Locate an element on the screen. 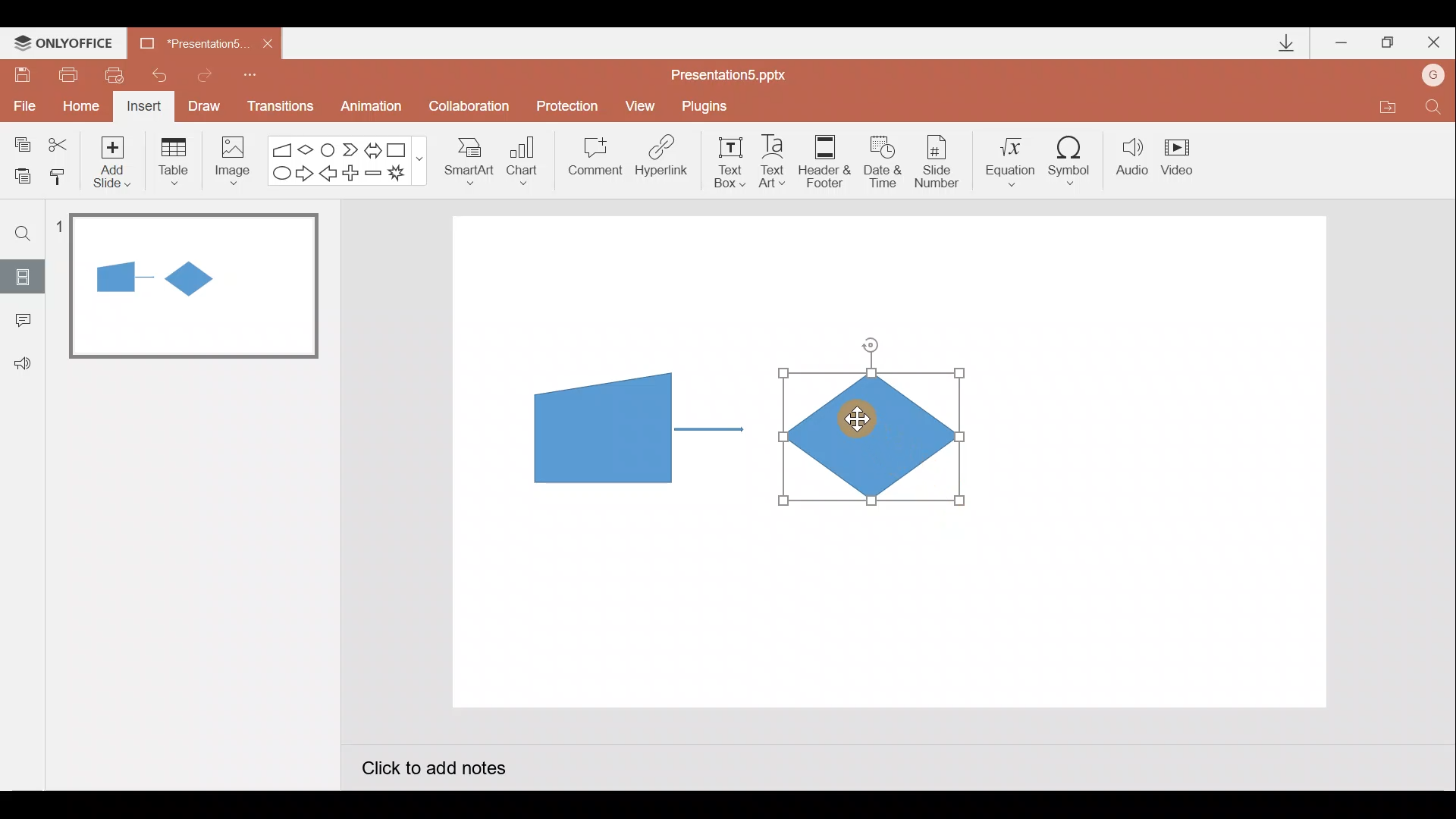  Undo is located at coordinates (162, 75).